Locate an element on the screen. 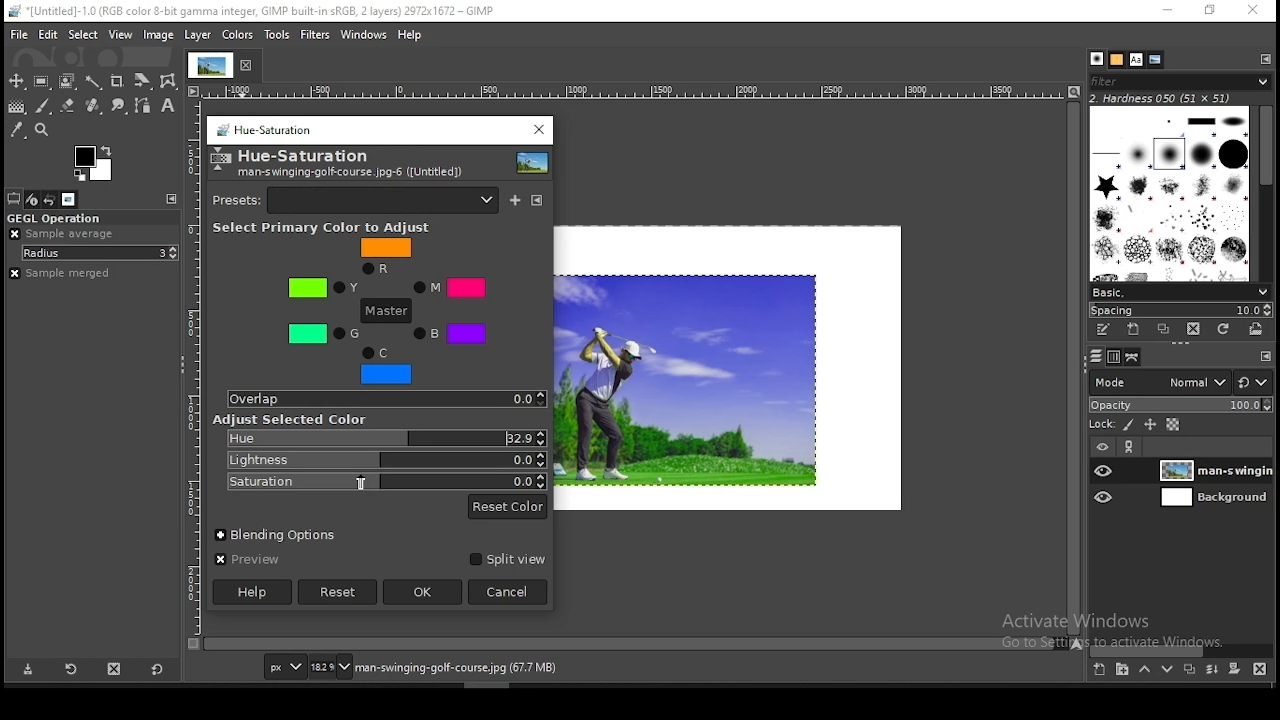 This screenshot has height=720, width=1280. *[untitled]-1.0 (rgb color 8-bit gamma integer, Gimp built in sRGB, 2 layers) 2972x1672 - gimp is located at coordinates (252, 12).